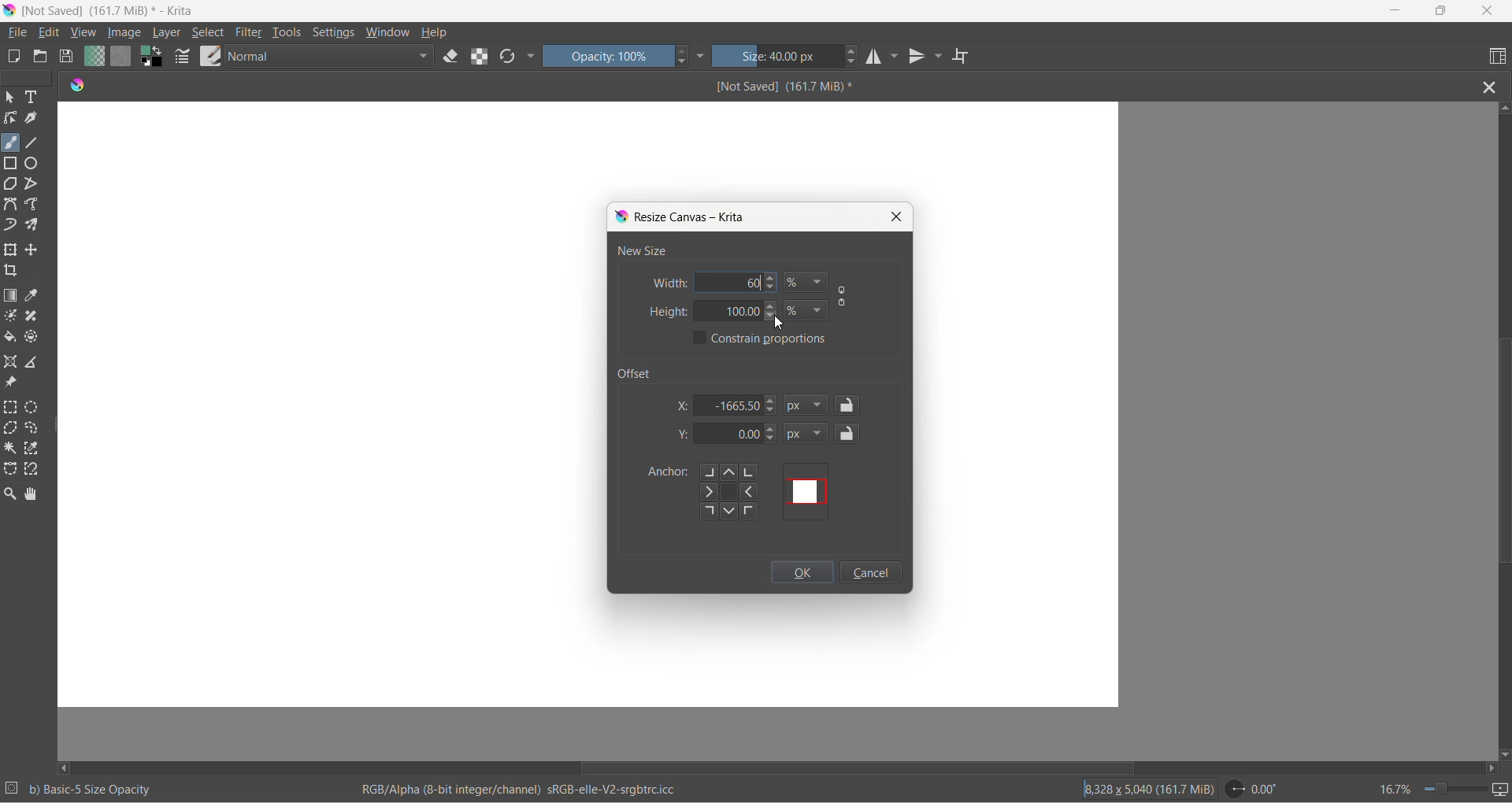  What do you see at coordinates (12, 430) in the screenshot?
I see `polygonal selection tool` at bounding box center [12, 430].